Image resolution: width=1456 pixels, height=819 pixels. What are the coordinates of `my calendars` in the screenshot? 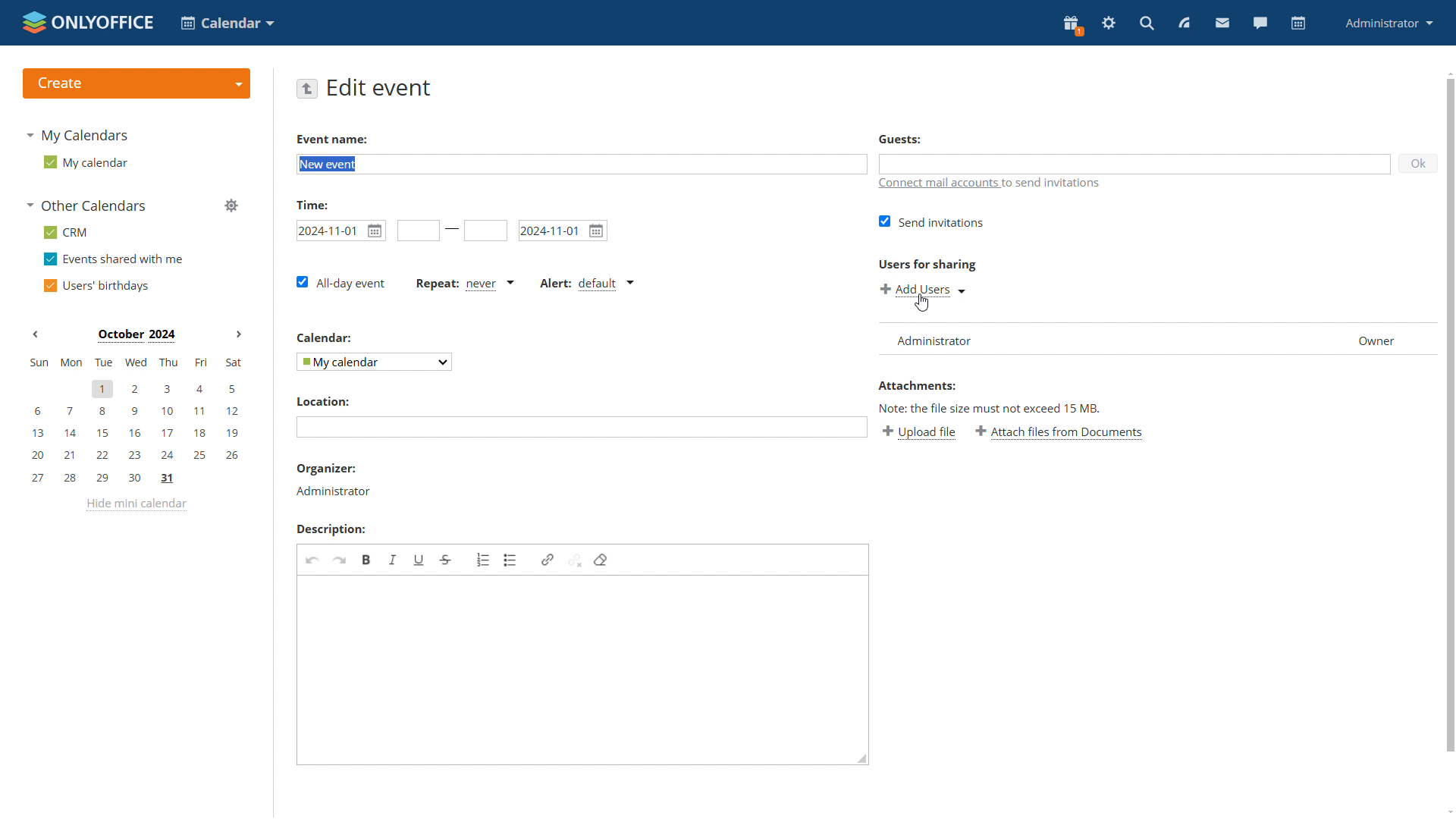 It's located at (83, 137).